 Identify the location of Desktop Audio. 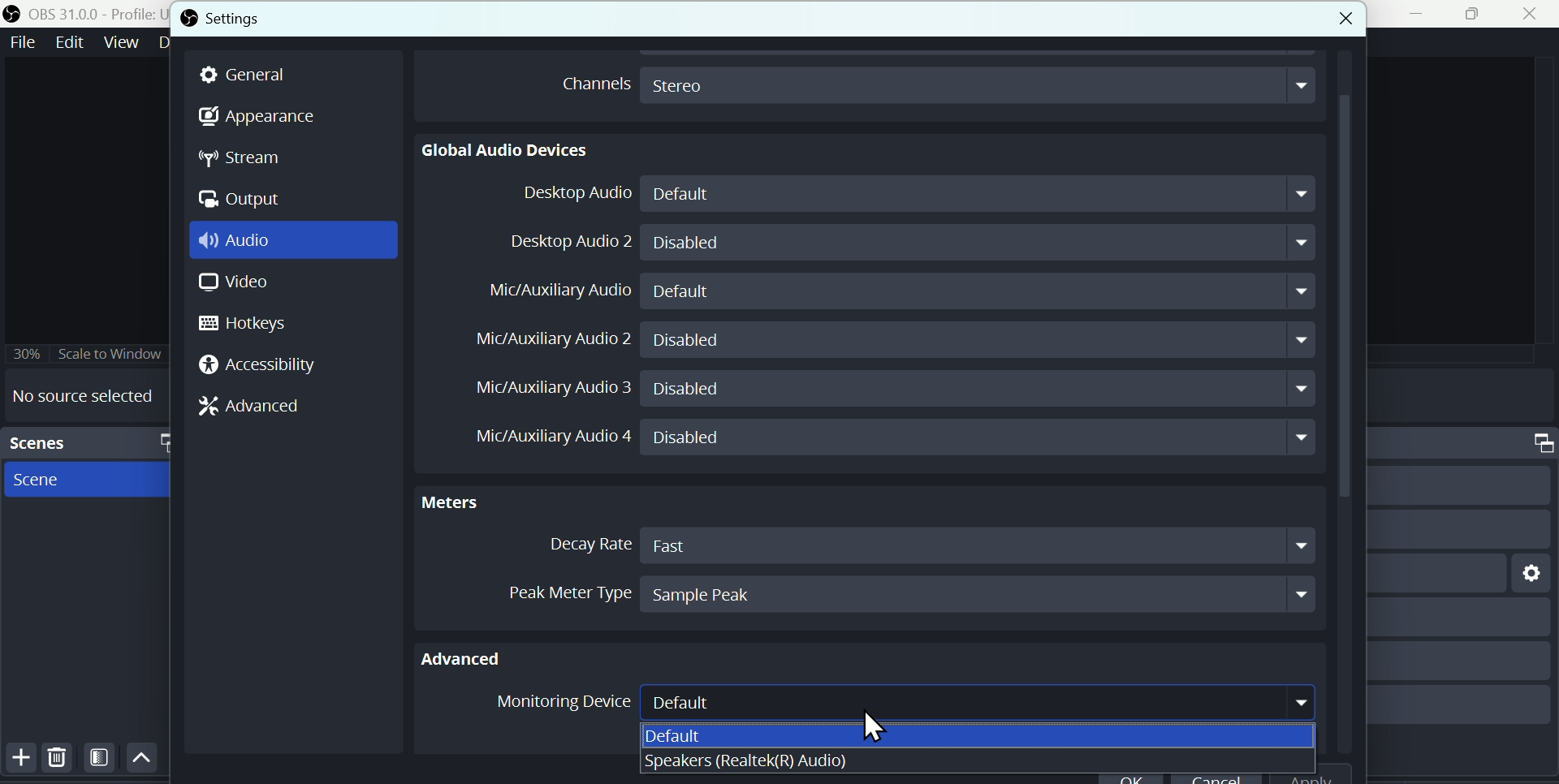
(570, 195).